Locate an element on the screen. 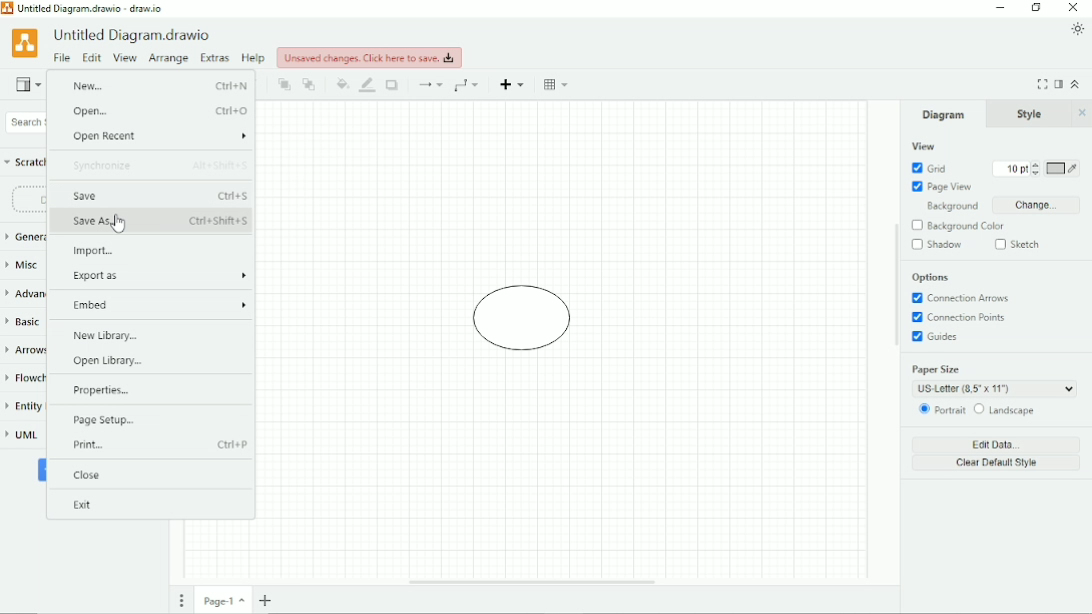 The height and width of the screenshot is (614, 1092). Untitled Diagram.drawio is located at coordinates (133, 35).